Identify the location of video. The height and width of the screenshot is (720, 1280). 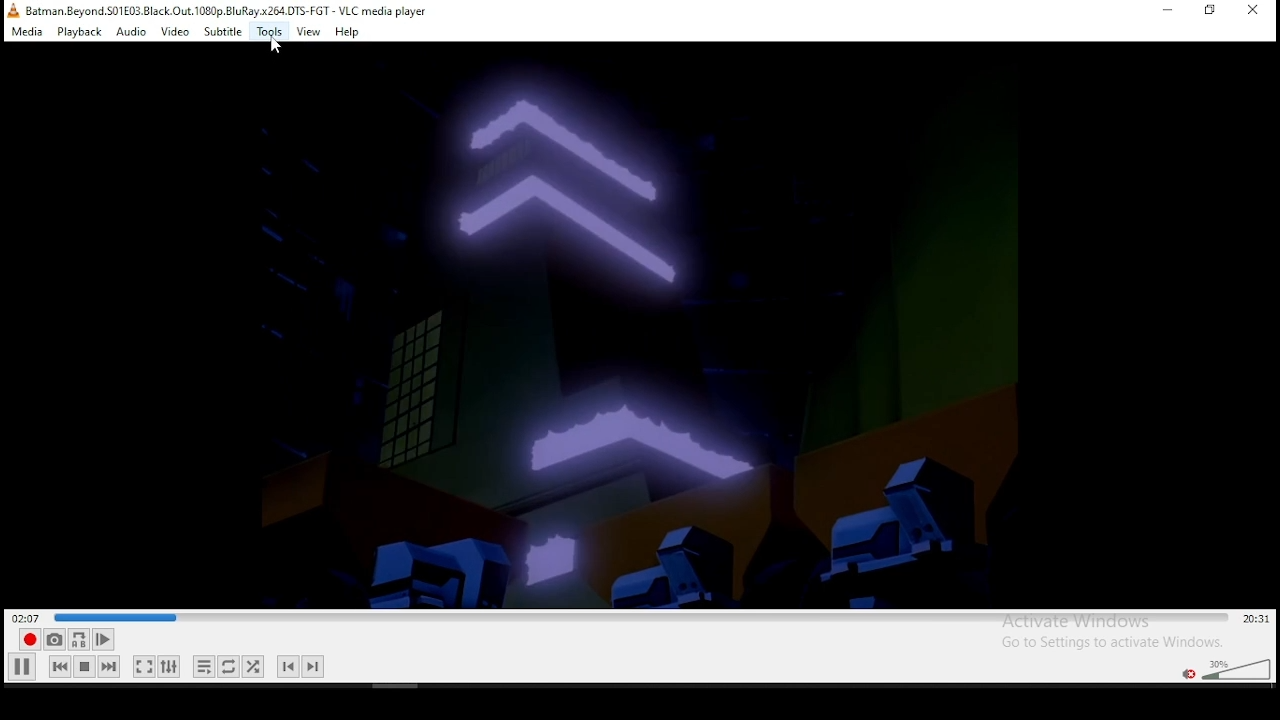
(175, 33).